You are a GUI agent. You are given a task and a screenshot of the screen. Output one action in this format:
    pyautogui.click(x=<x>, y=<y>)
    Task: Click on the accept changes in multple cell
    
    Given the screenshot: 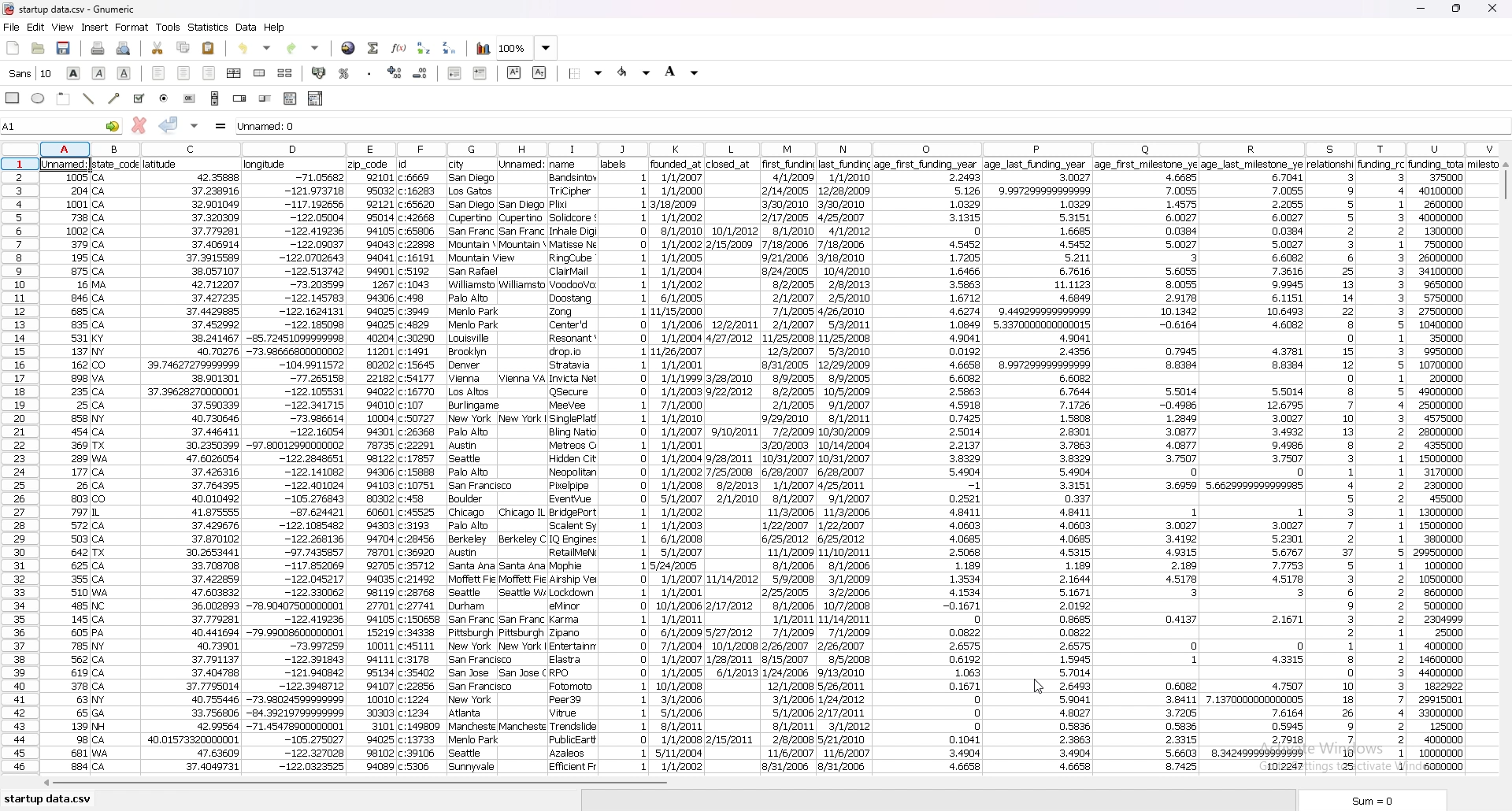 What is the action you would take?
    pyautogui.click(x=194, y=126)
    